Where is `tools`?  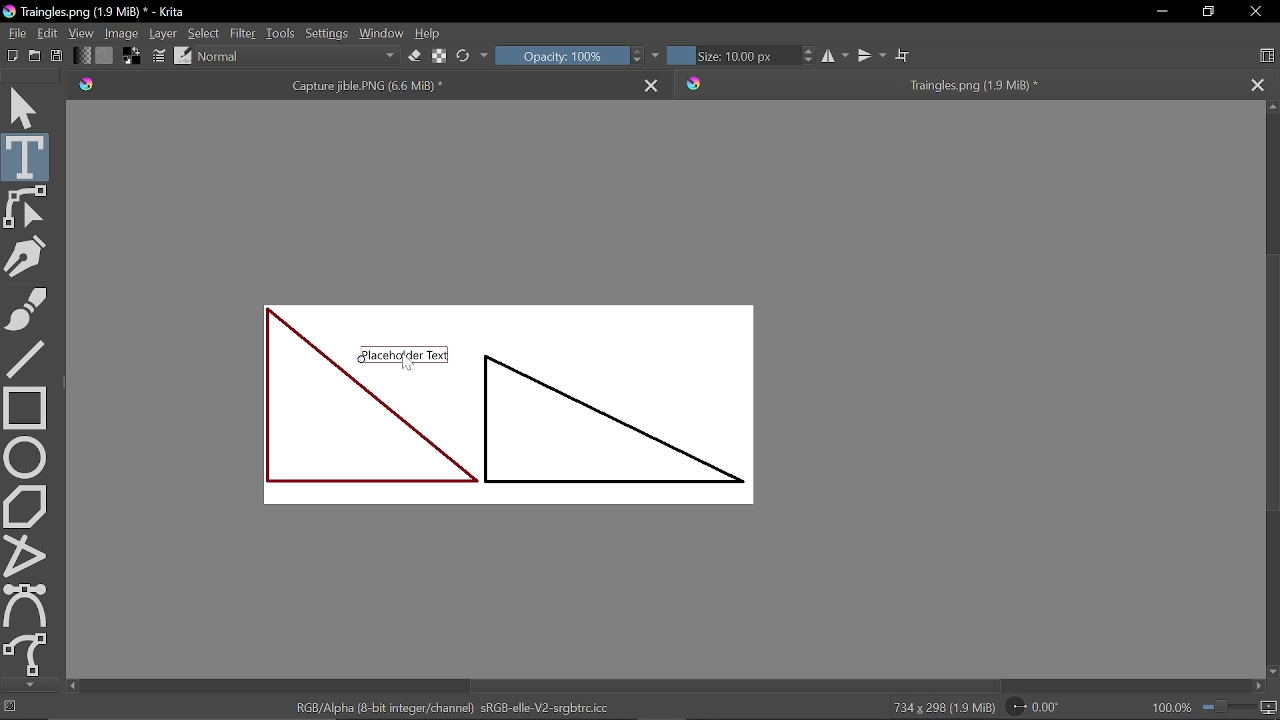 tools is located at coordinates (278, 33).